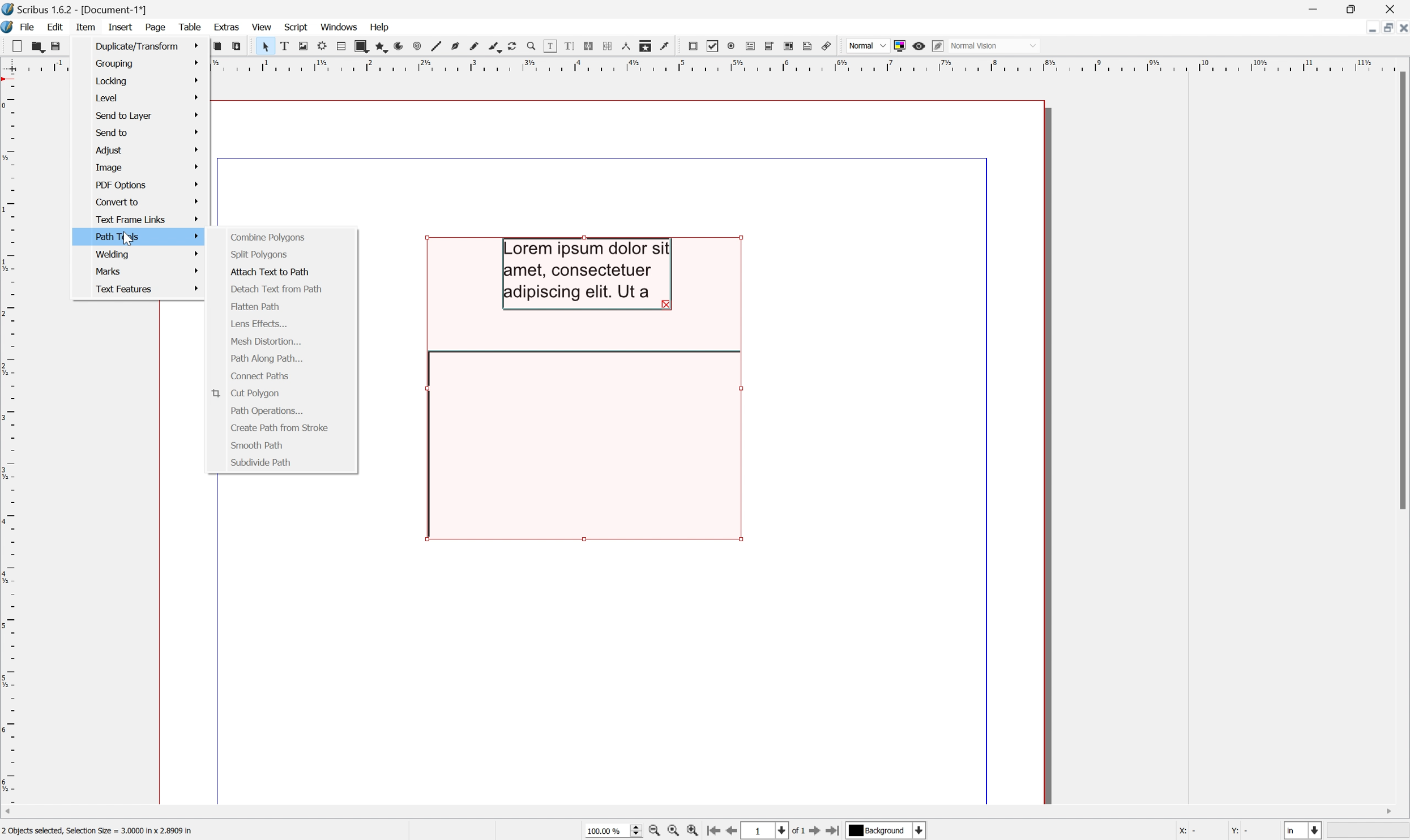 Image resolution: width=1410 pixels, height=840 pixels. I want to click on Preview, so click(919, 45).